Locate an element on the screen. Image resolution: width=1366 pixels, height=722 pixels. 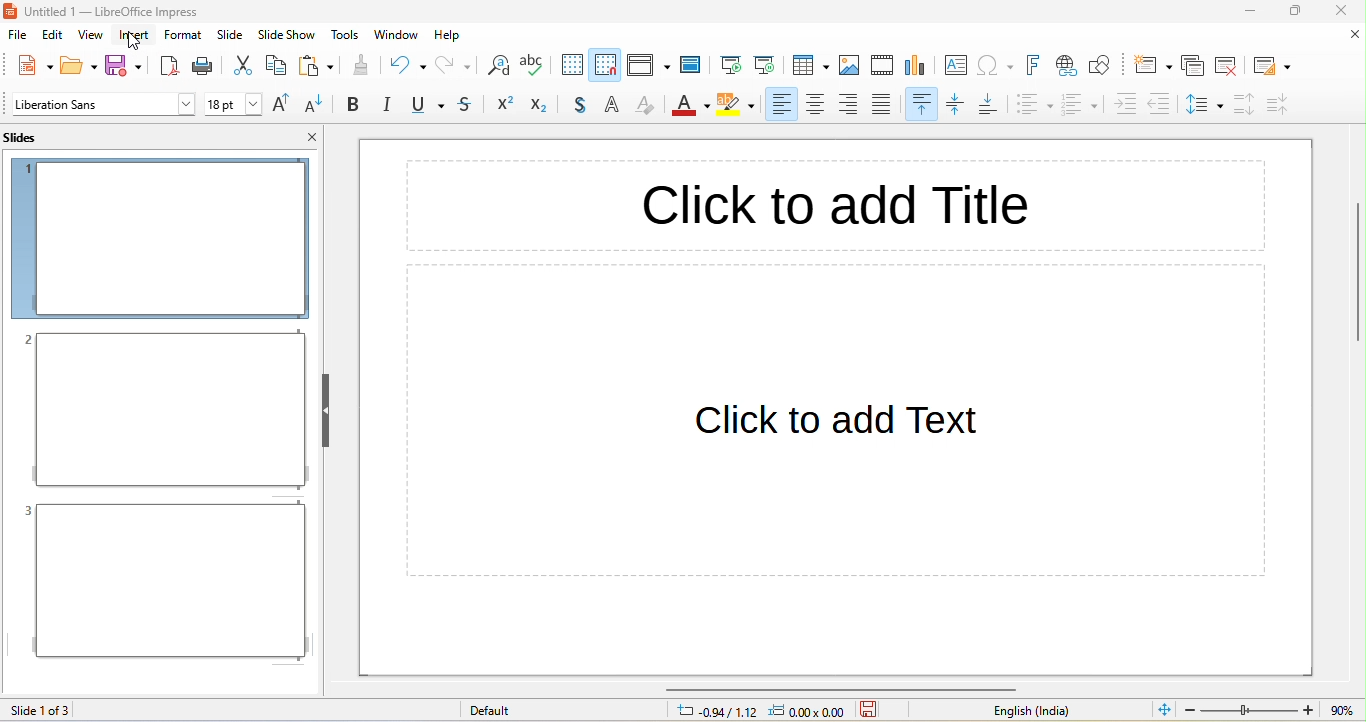
hide is located at coordinates (324, 410).